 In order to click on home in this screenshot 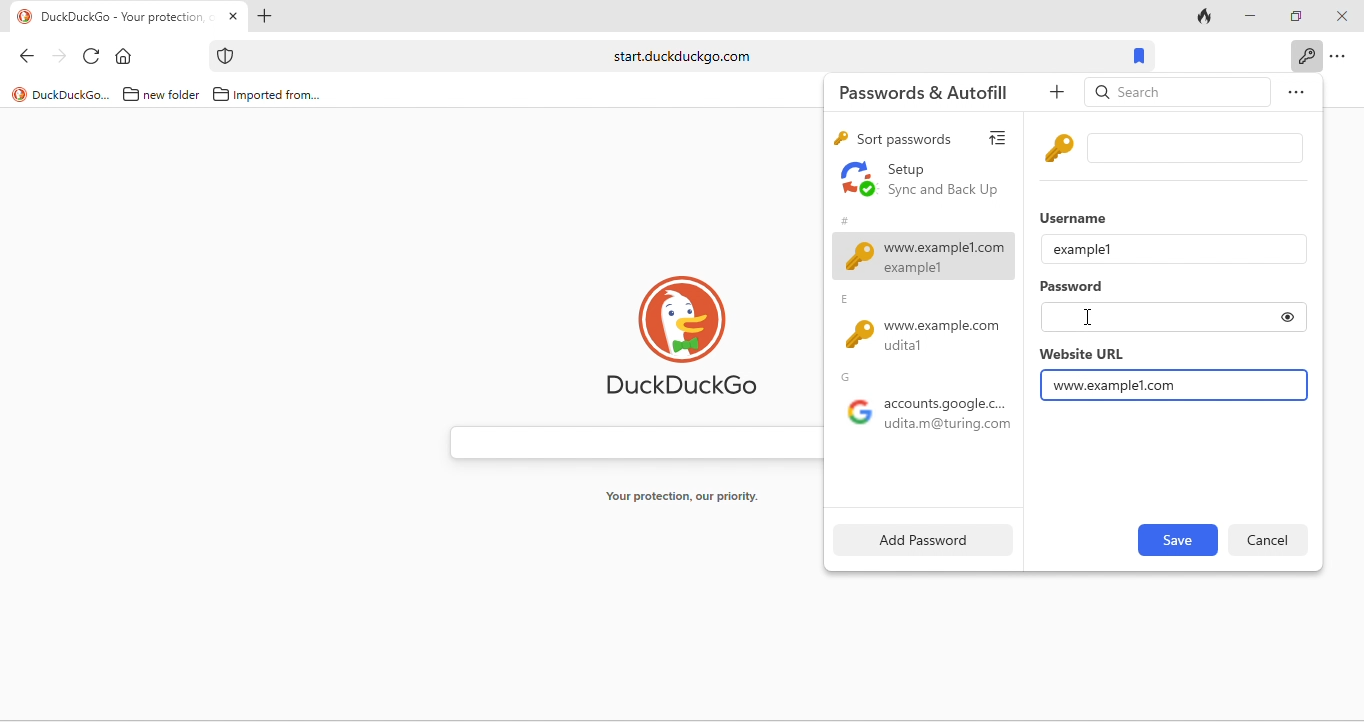, I will do `click(128, 55)`.